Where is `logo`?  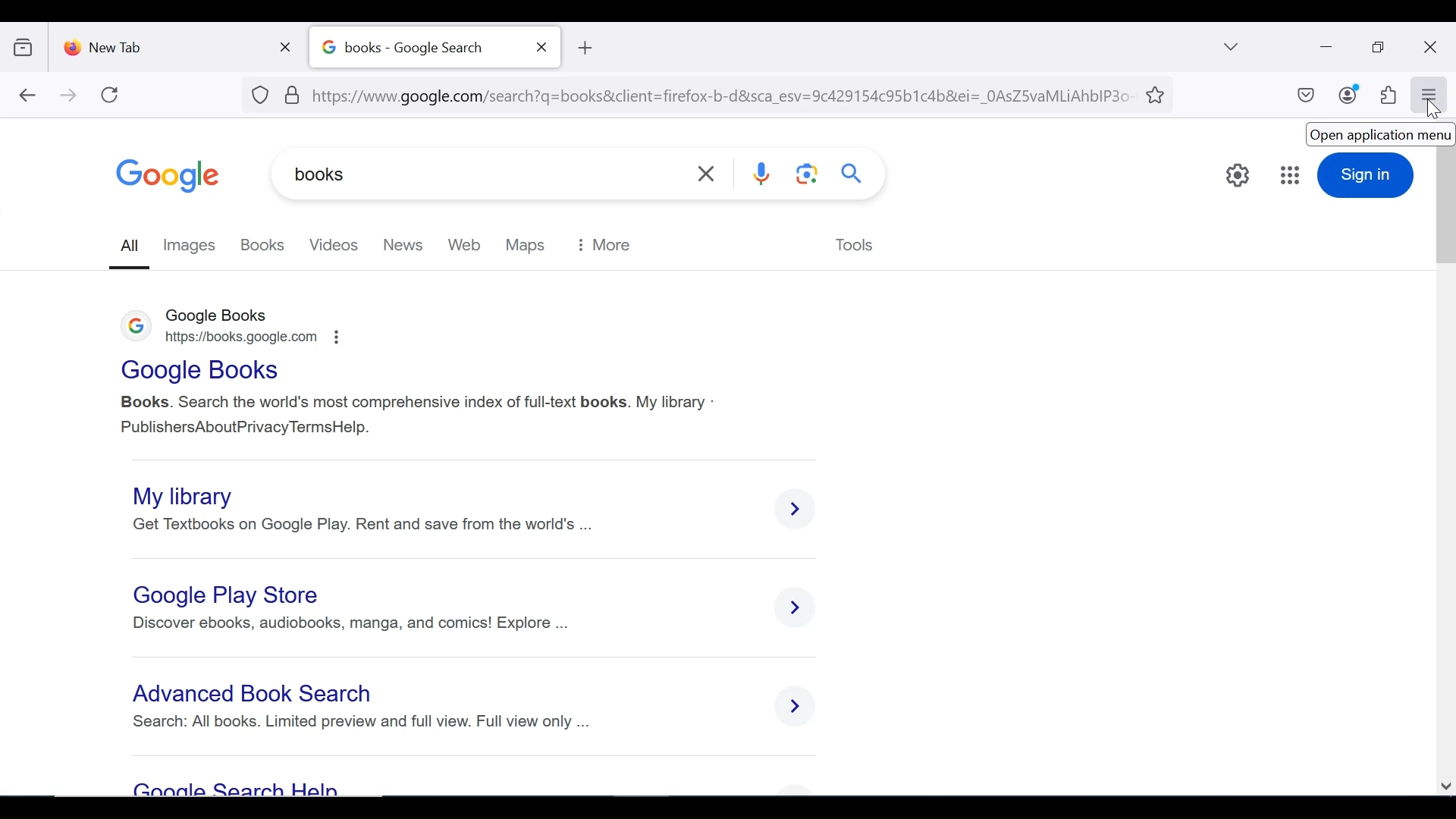
logo is located at coordinates (136, 329).